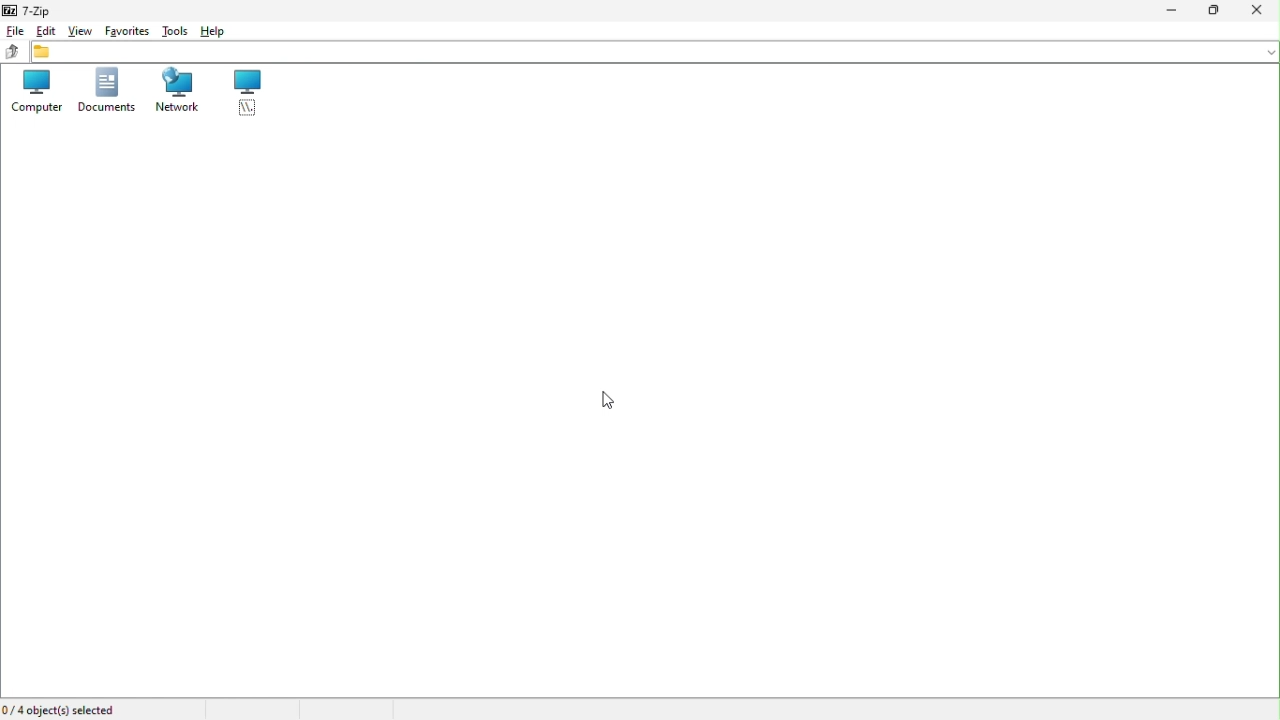  I want to click on 7 zip, so click(26, 10).